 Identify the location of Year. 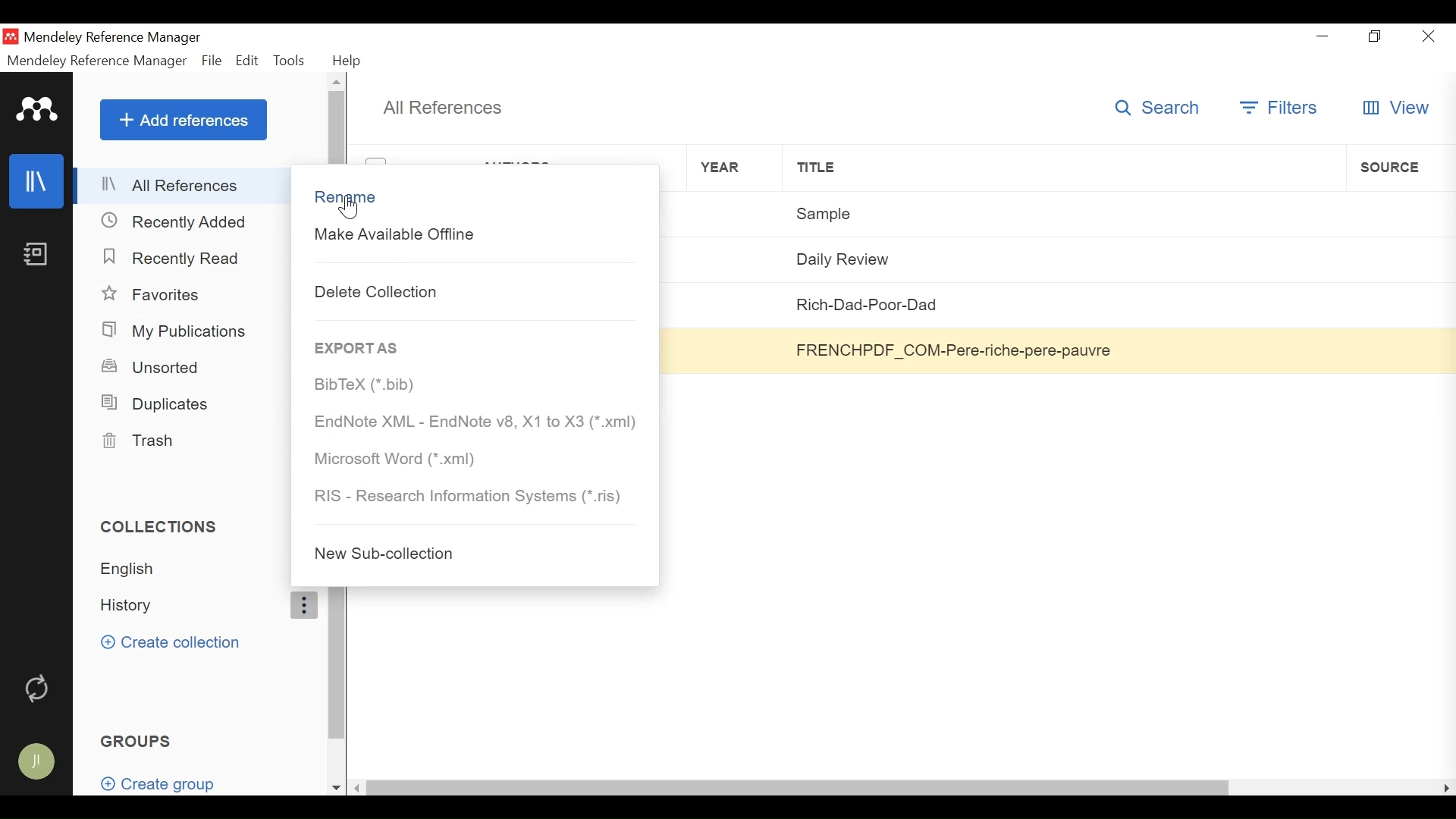
(736, 258).